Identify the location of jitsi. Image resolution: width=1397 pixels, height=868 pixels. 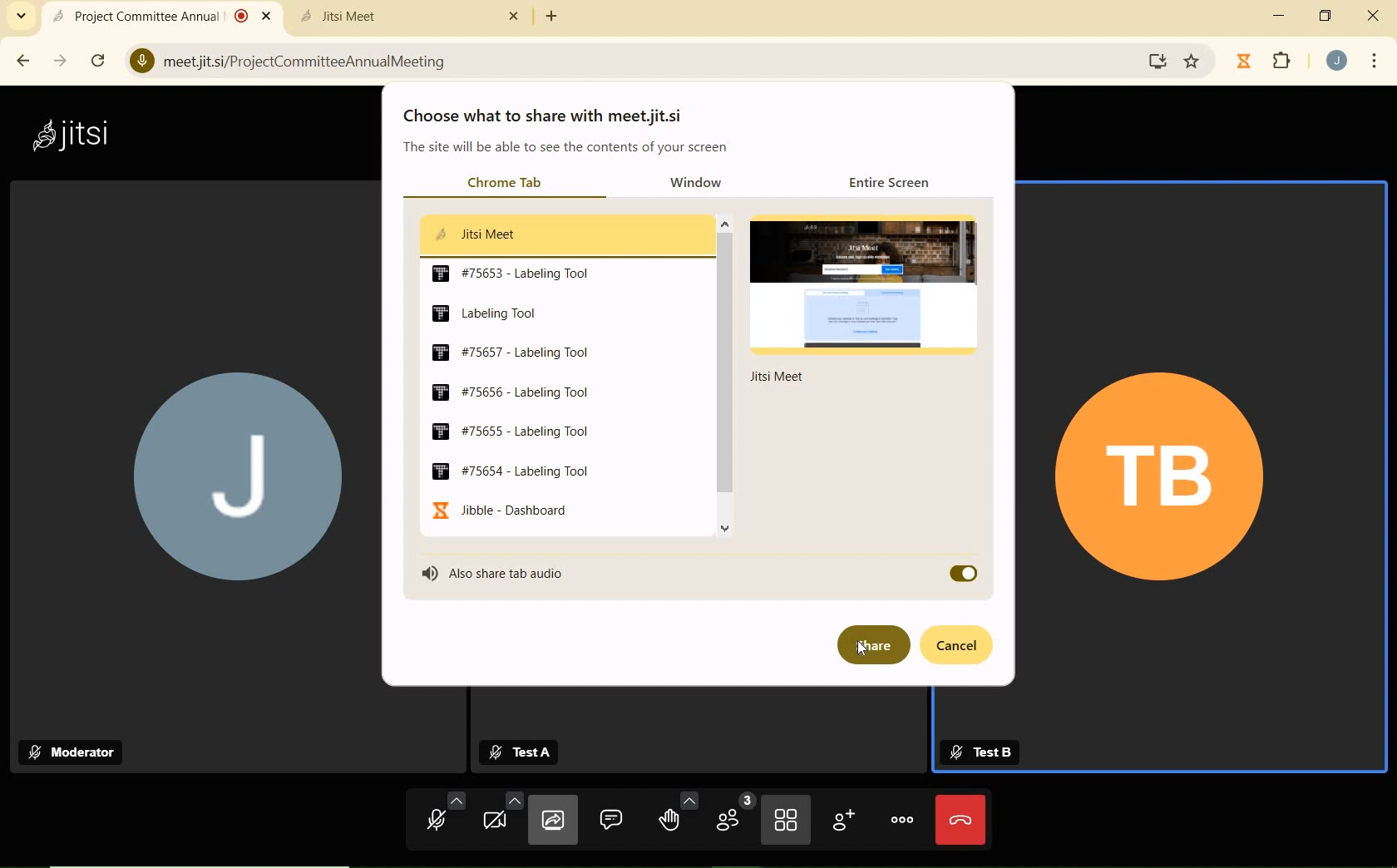
(78, 133).